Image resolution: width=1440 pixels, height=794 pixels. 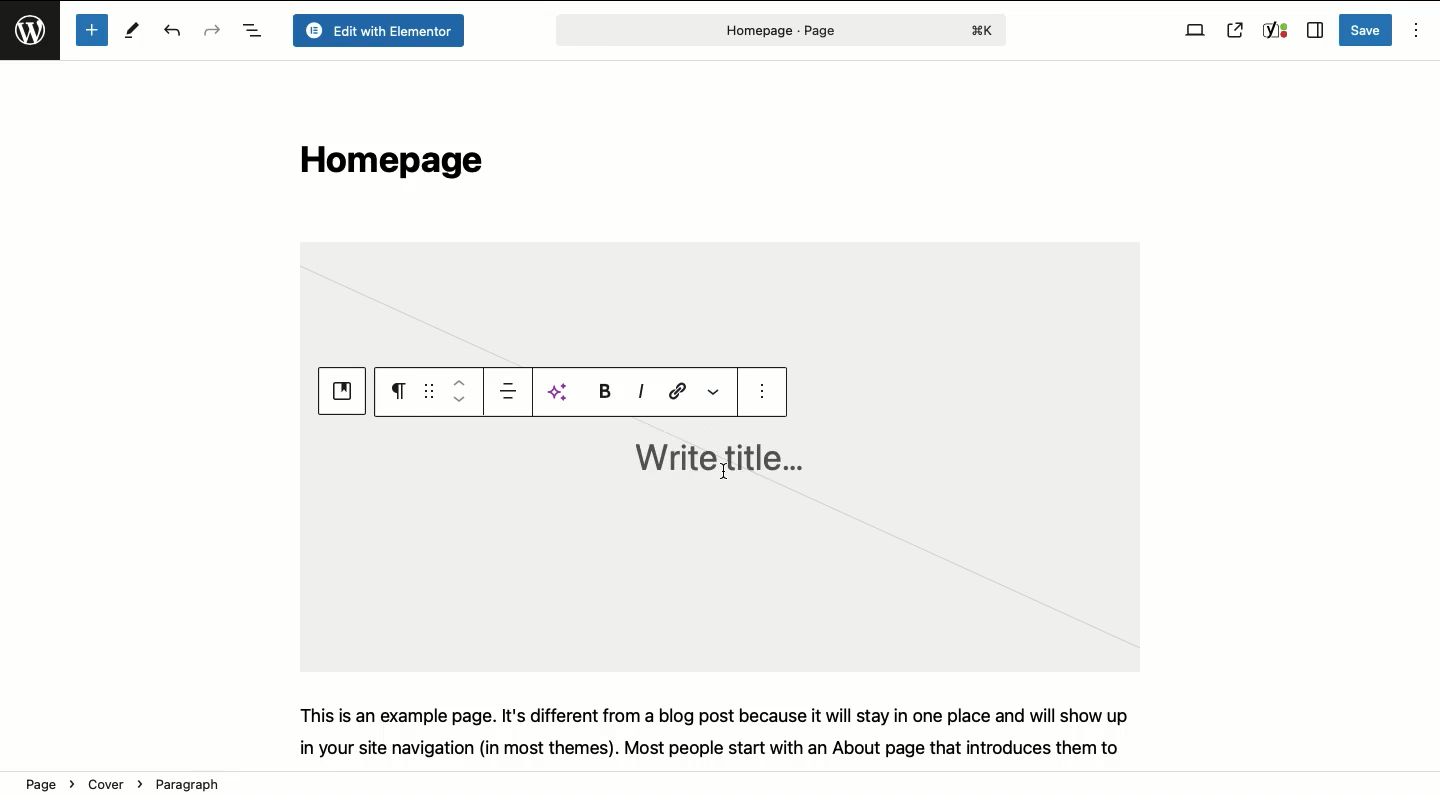 I want to click on This is an example page. It's different from a blog post because it will stay in one place and will show up
in your site navigation (in most themes). Most people start with an About page that introduces them to, so click(x=728, y=730).